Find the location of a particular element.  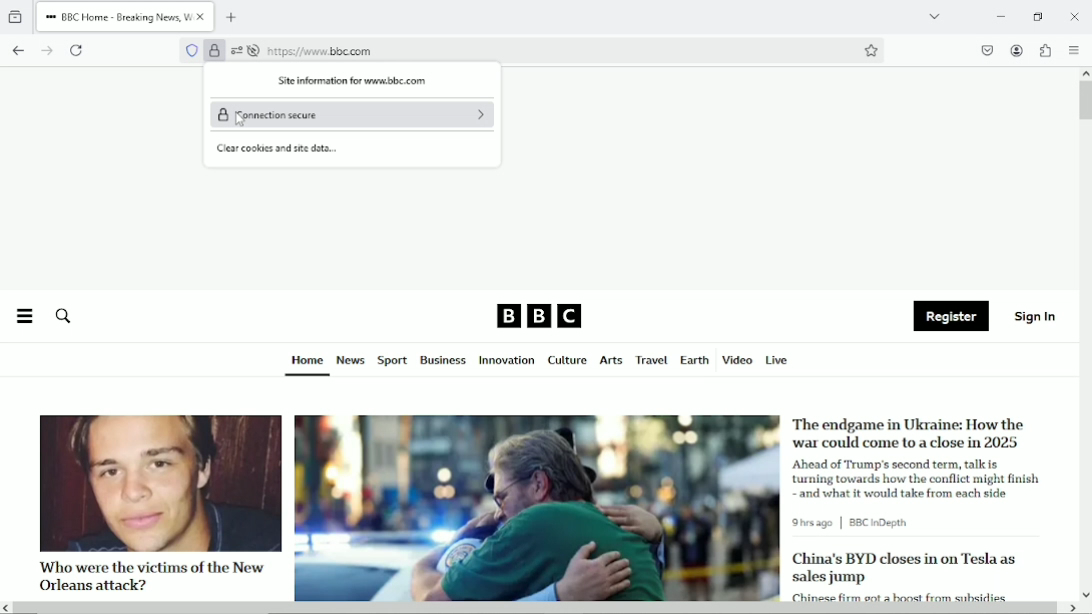

China's BYD closes in on Tesla as sales jump is located at coordinates (904, 568).